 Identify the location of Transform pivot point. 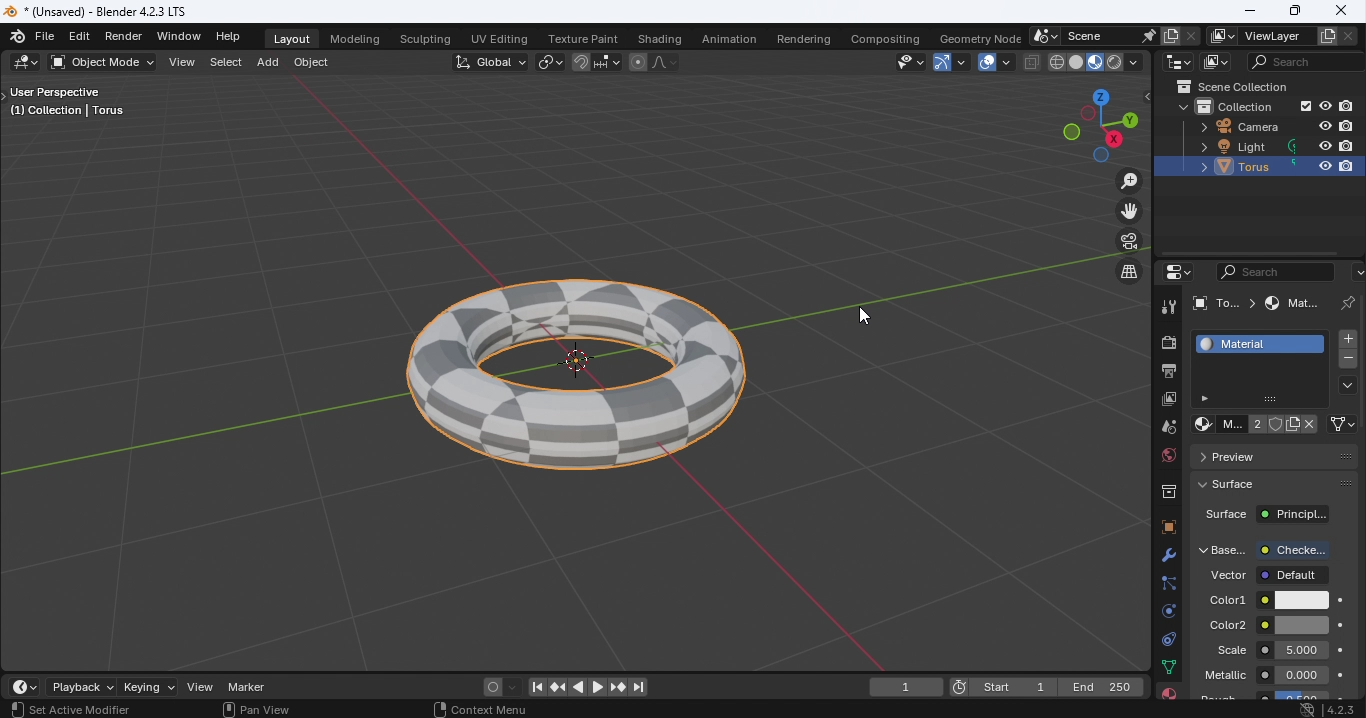
(549, 61).